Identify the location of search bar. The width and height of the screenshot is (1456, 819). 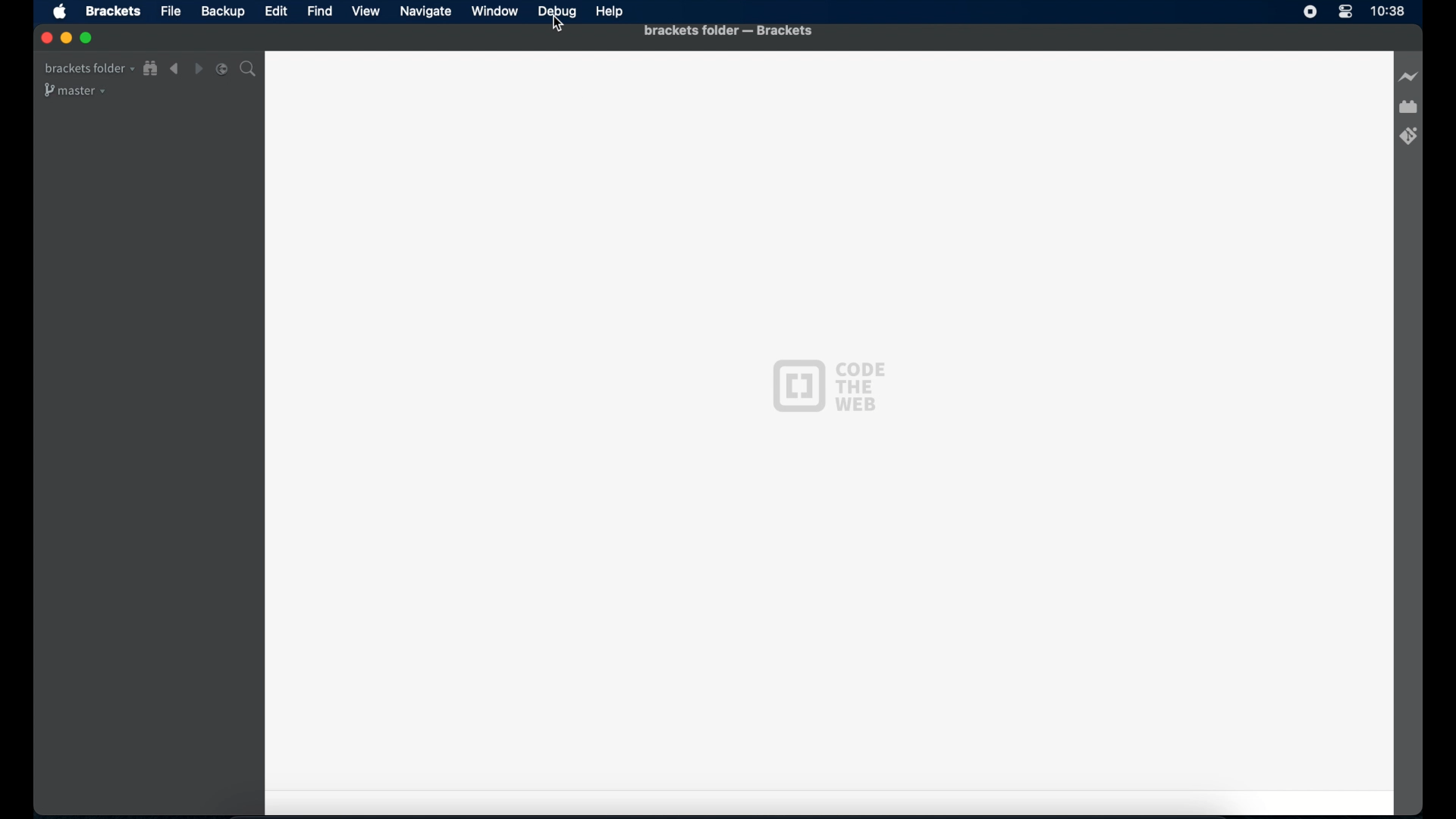
(248, 70).